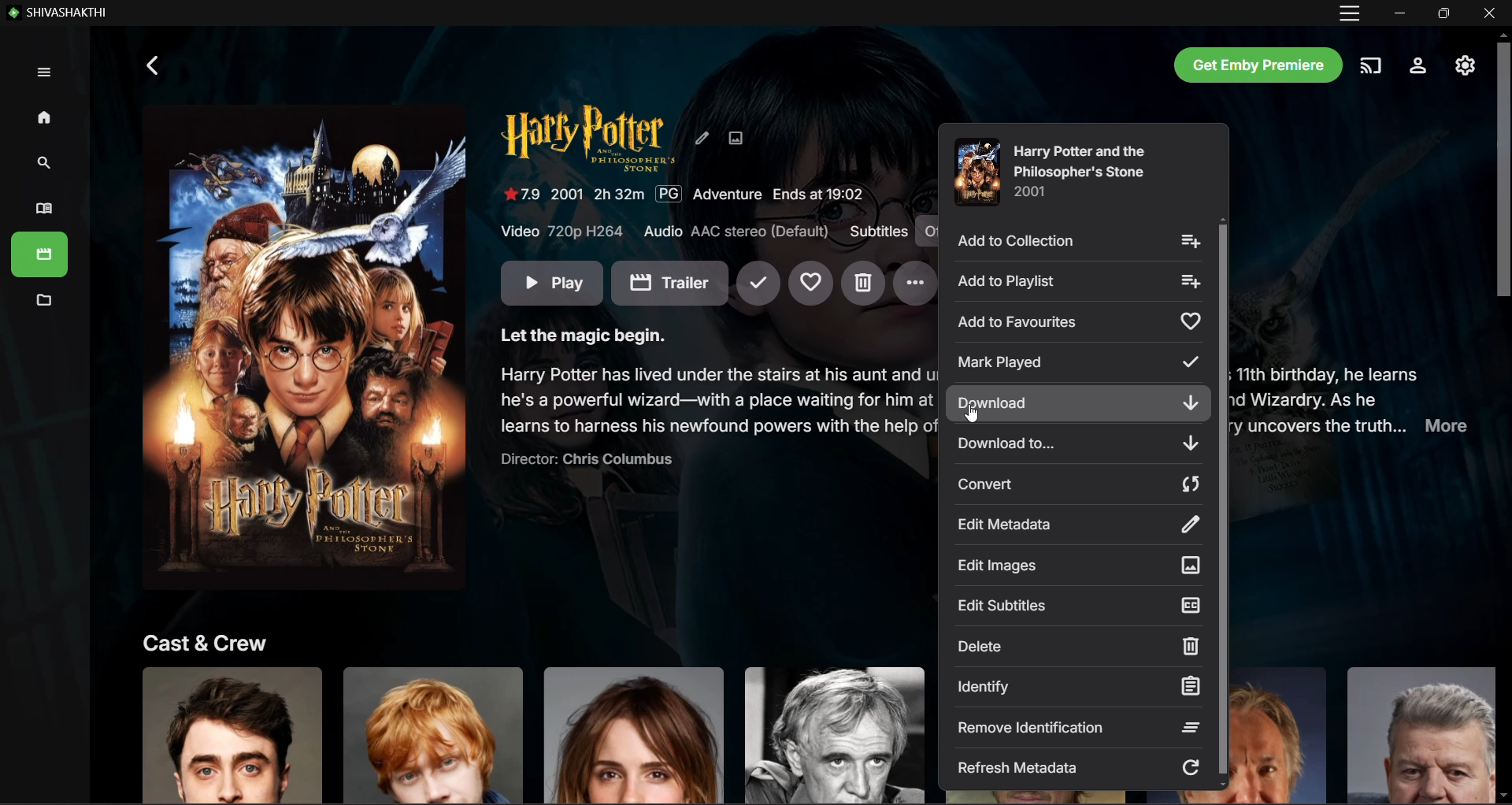  What do you see at coordinates (925, 230) in the screenshot?
I see `Subtitles on/off` at bounding box center [925, 230].